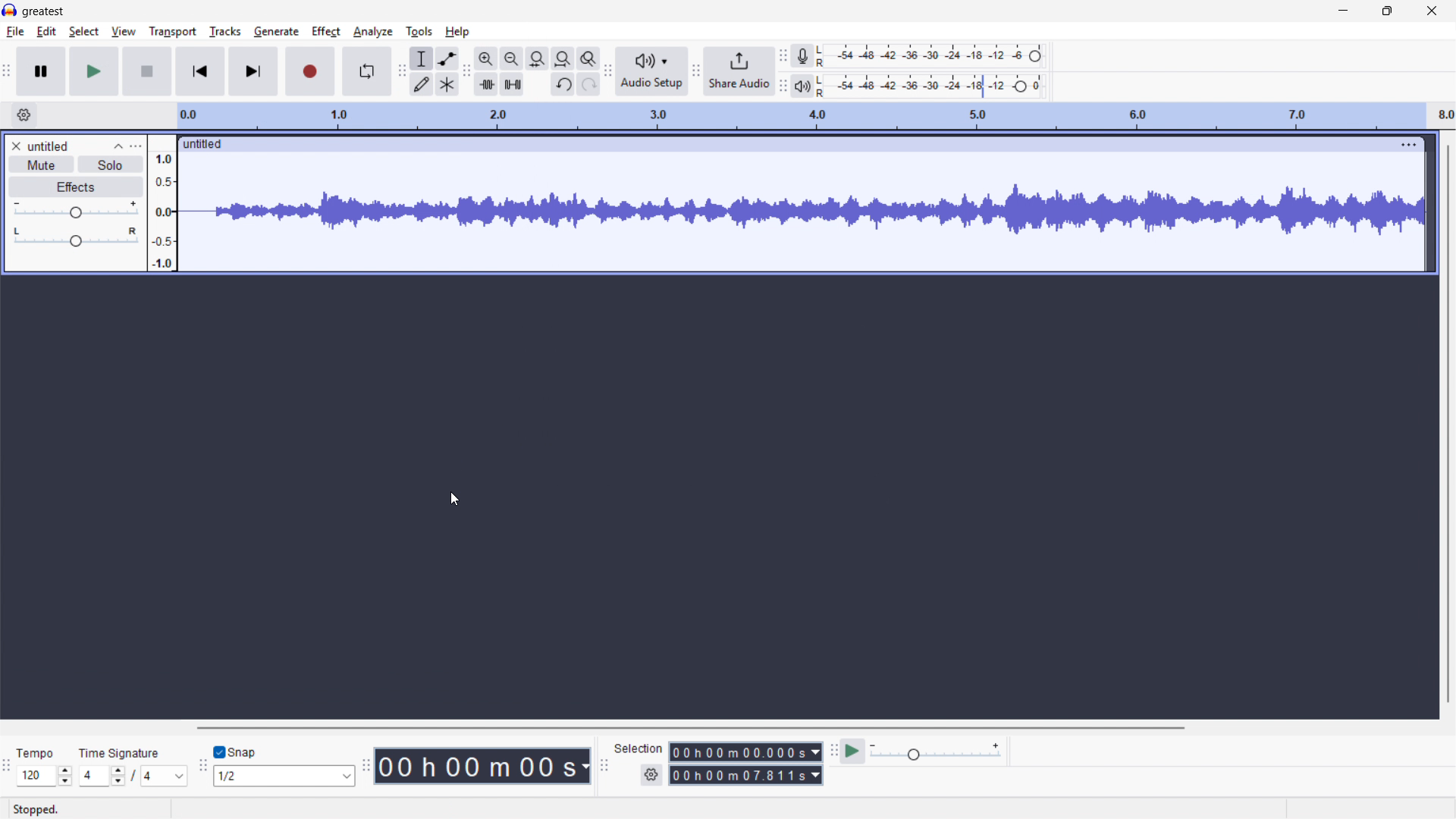  What do you see at coordinates (44, 13) in the screenshot?
I see `project title changed` at bounding box center [44, 13].